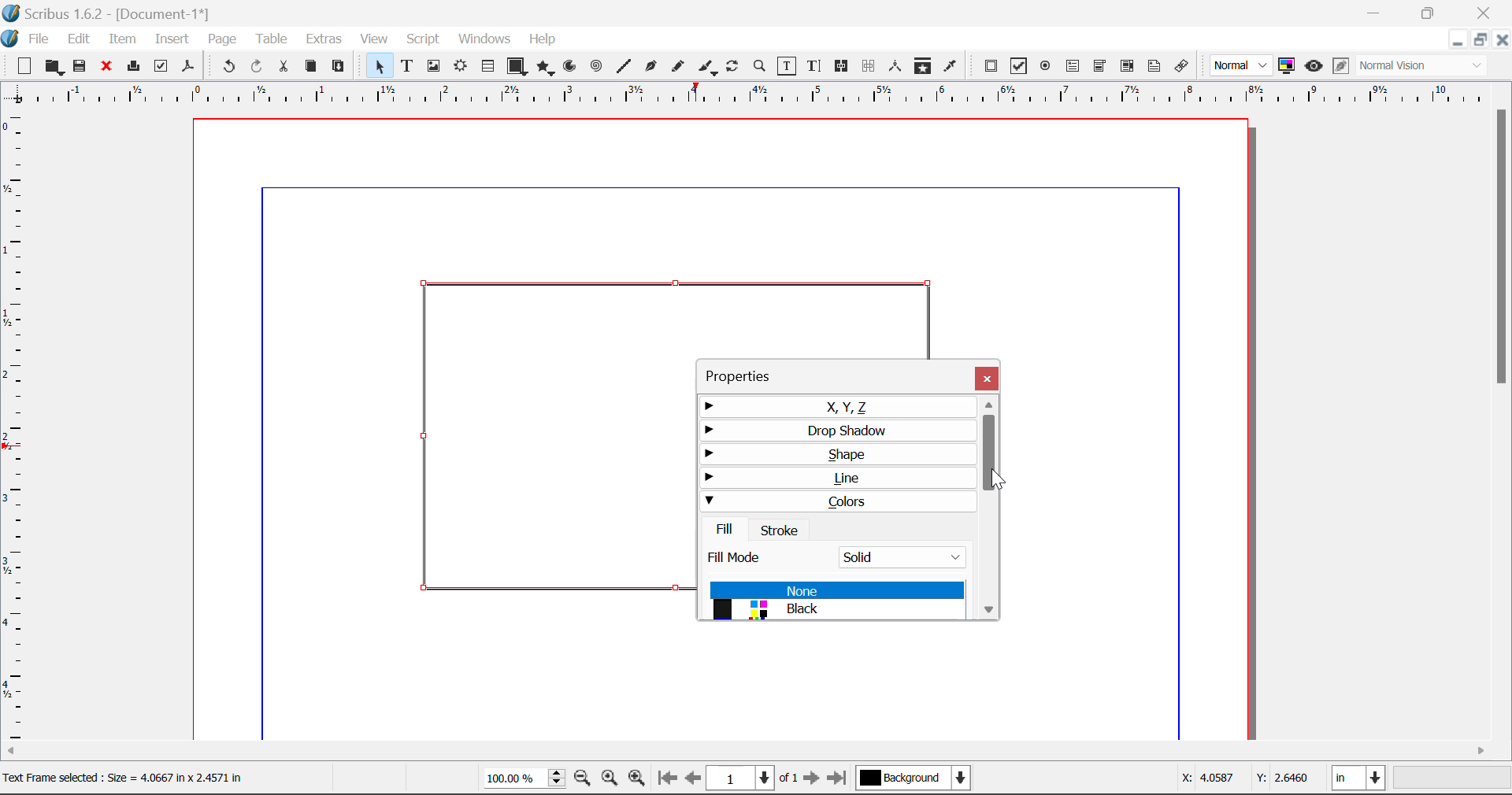  What do you see at coordinates (757, 752) in the screenshot?
I see `Scroll Bar` at bounding box center [757, 752].